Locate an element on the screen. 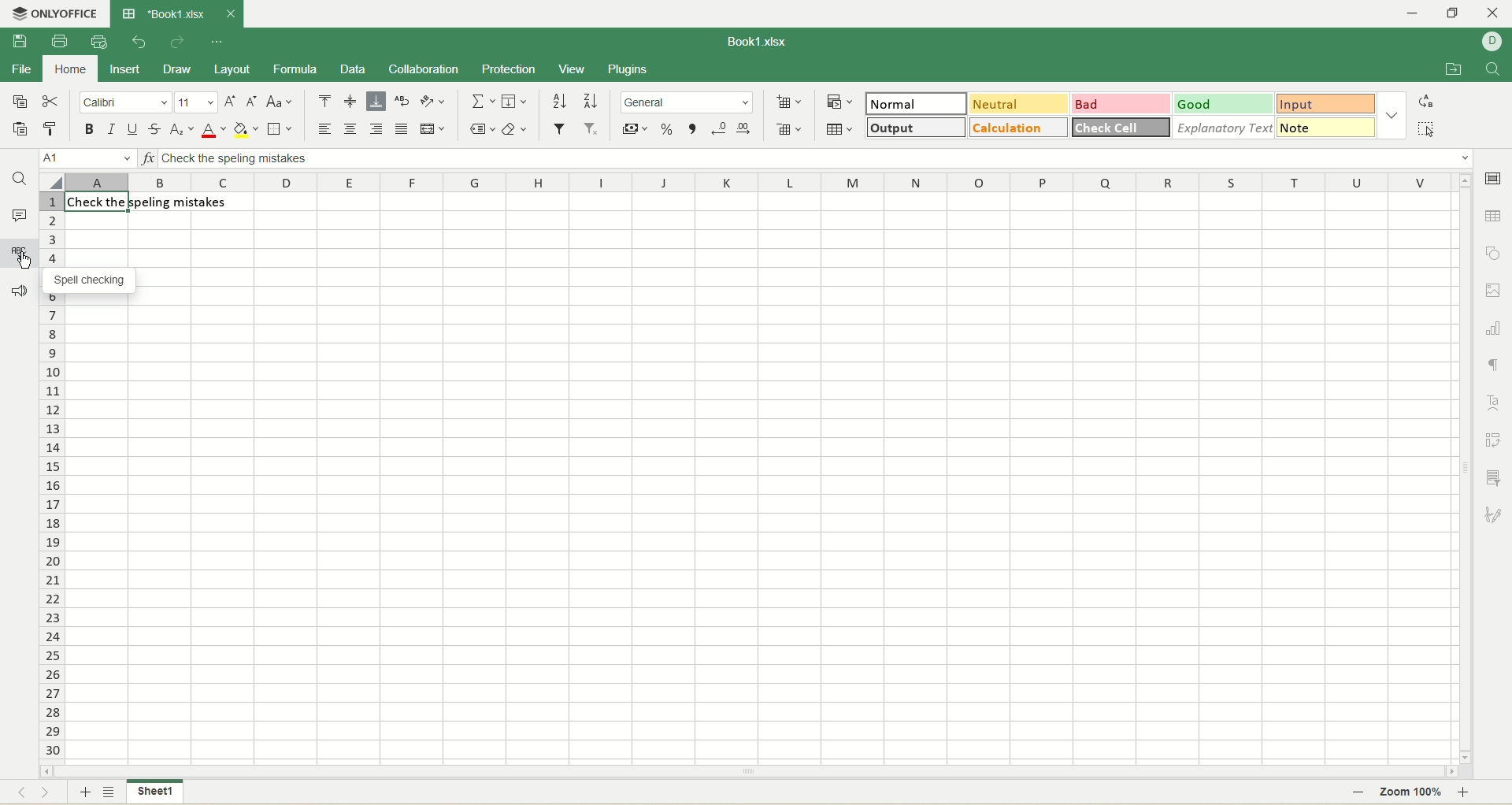 The height and width of the screenshot is (805, 1512). align center is located at coordinates (349, 129).